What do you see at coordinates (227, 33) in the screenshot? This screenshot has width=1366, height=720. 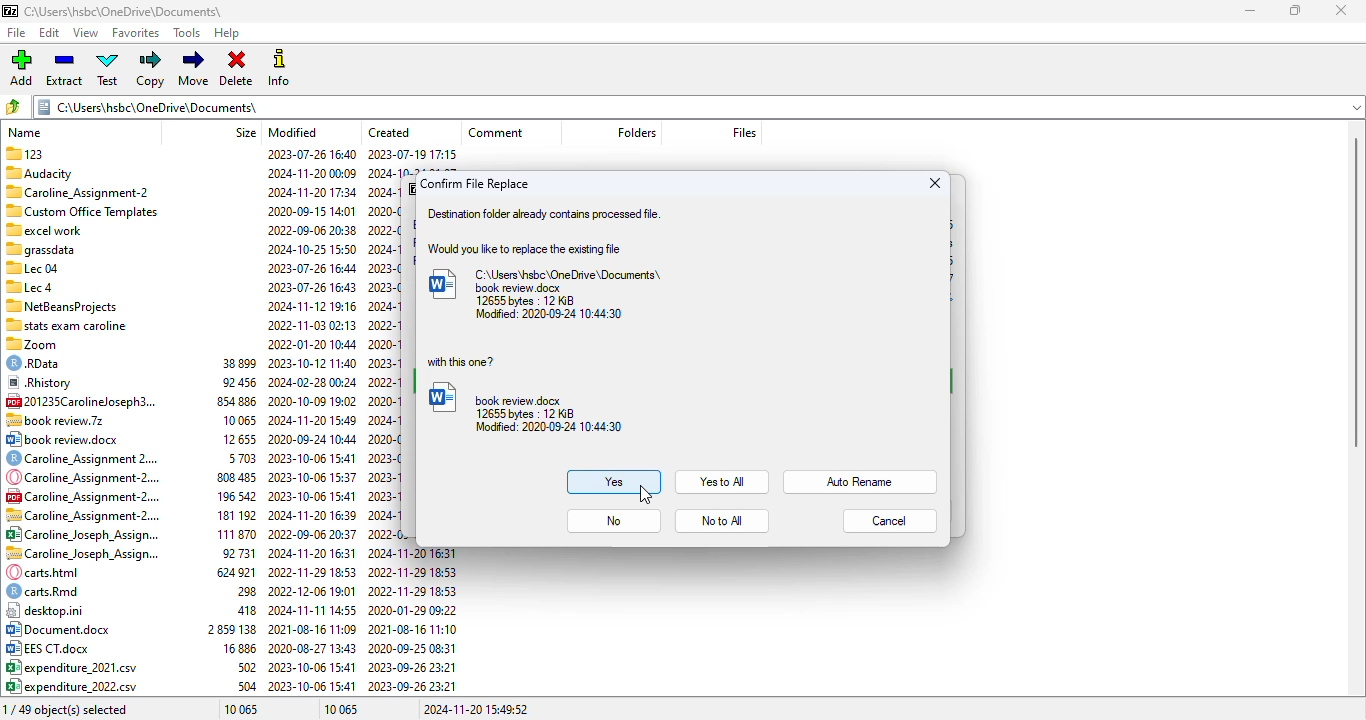 I see `help` at bounding box center [227, 33].